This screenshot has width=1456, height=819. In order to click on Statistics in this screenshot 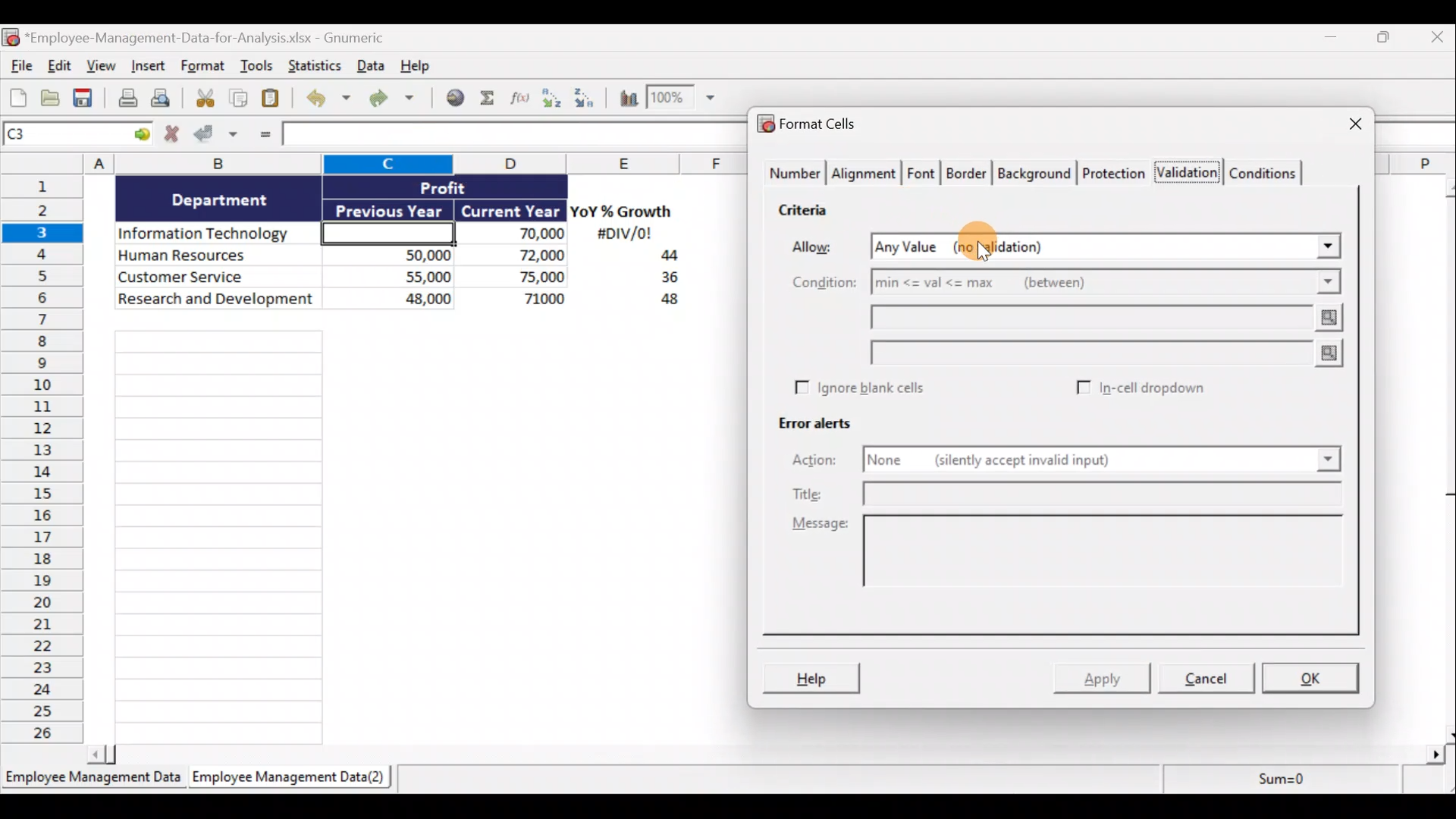, I will do `click(313, 65)`.